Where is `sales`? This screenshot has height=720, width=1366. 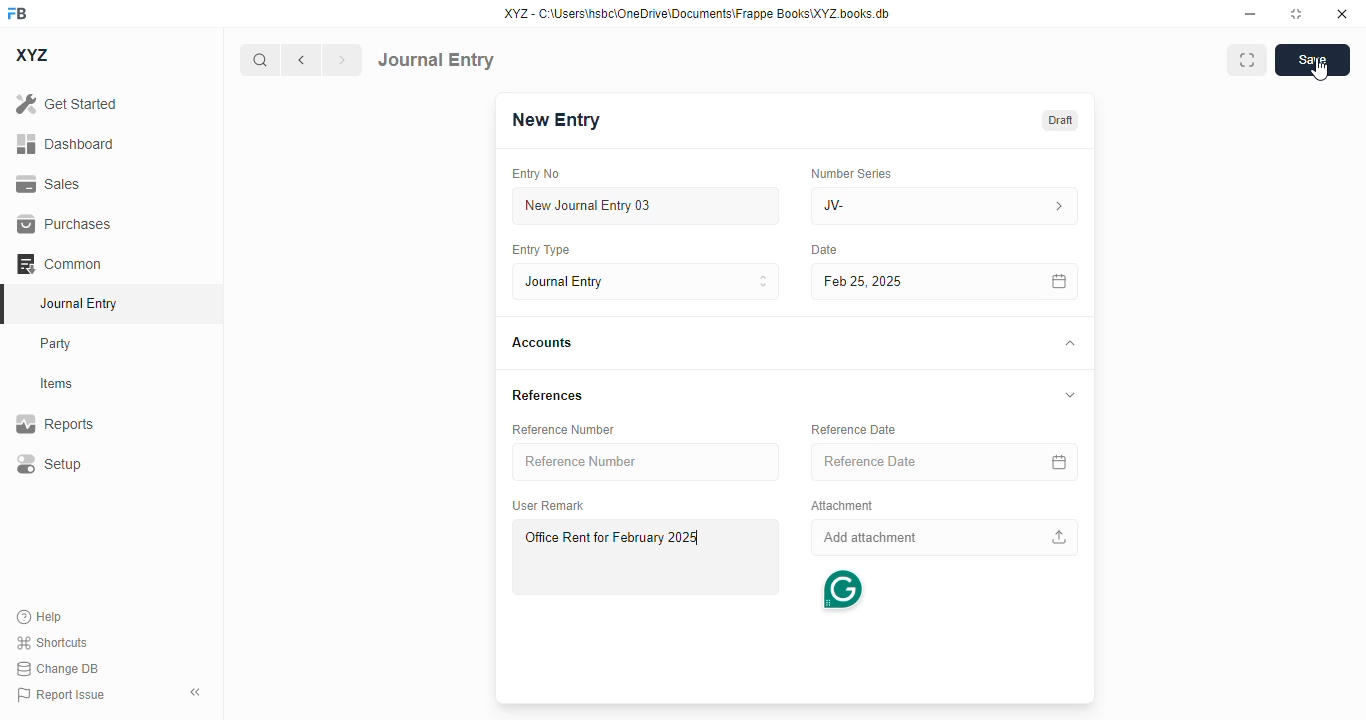 sales is located at coordinates (51, 185).